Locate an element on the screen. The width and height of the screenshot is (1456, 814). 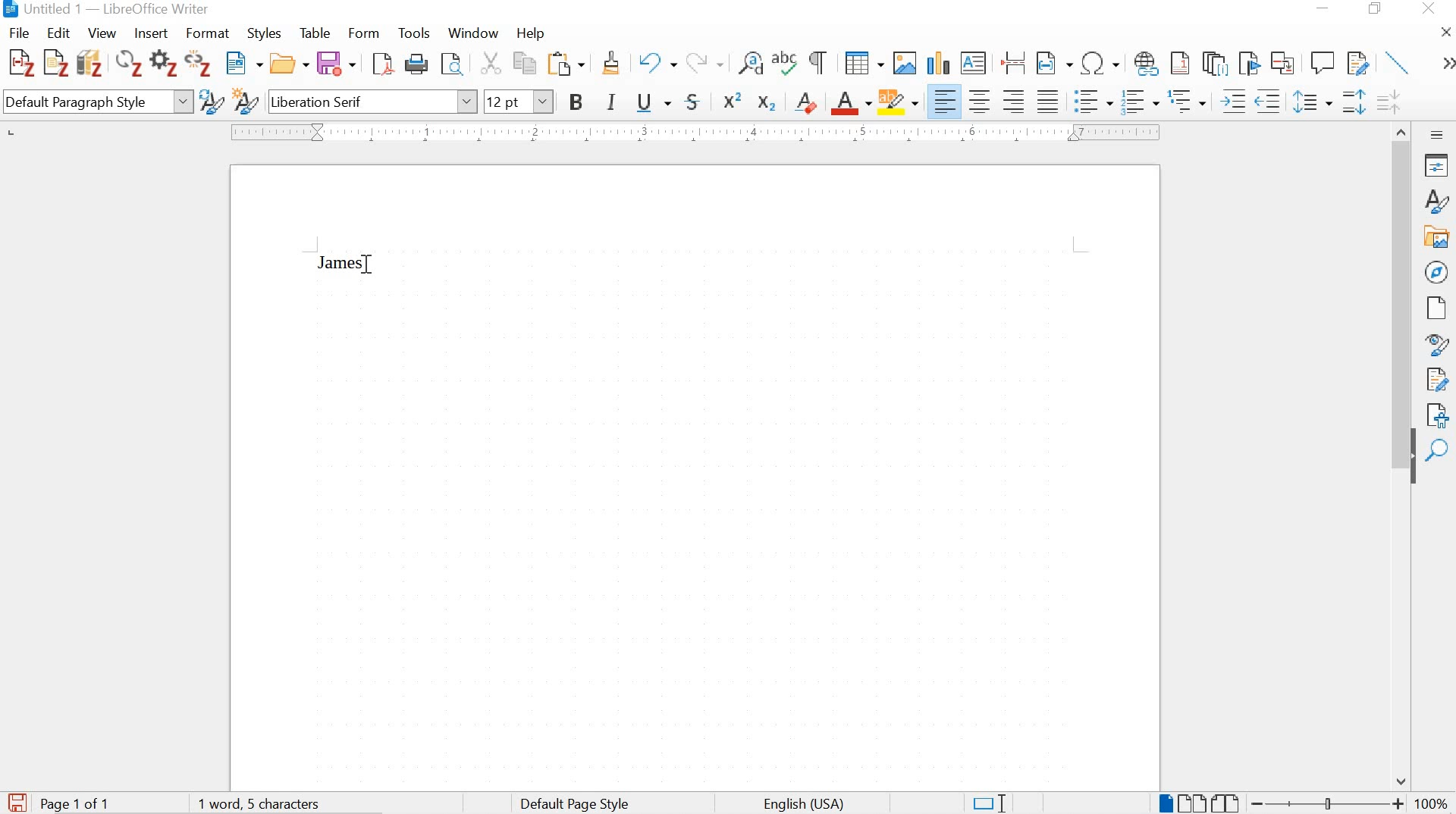
align center is located at coordinates (980, 101).